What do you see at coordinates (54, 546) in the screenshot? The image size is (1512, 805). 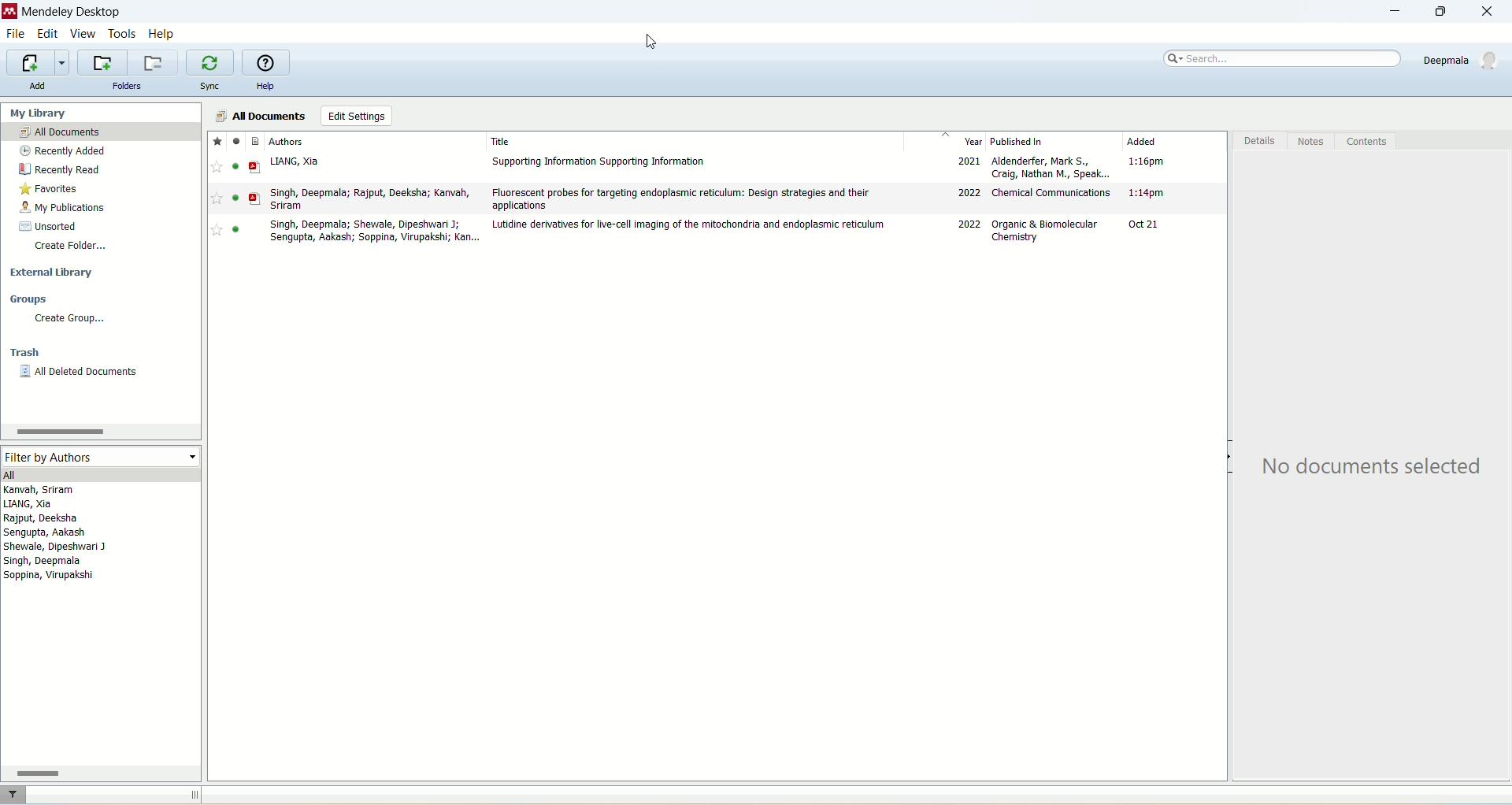 I see `Shewale, Dipeshwari J` at bounding box center [54, 546].